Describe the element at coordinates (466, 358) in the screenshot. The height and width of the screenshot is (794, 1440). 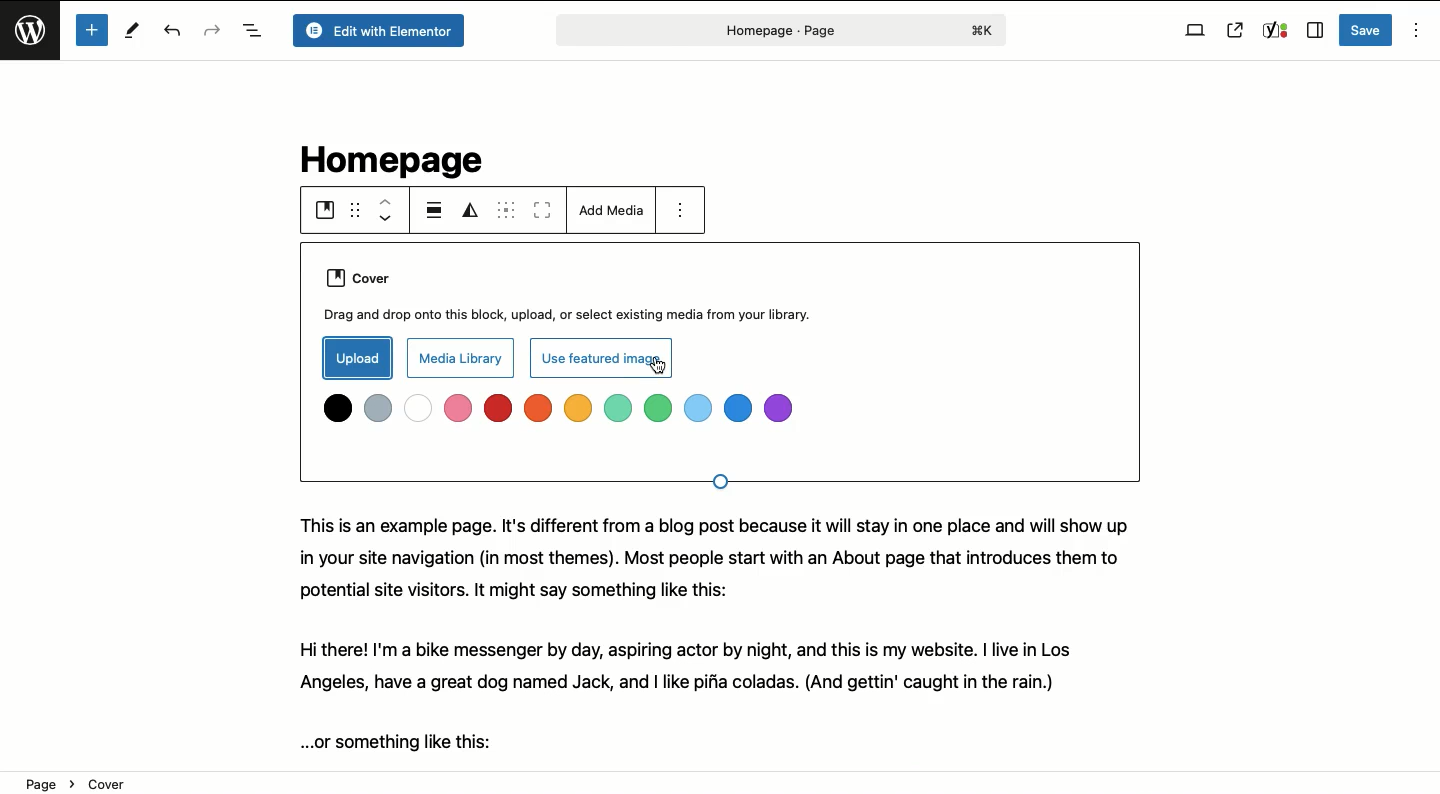
I see `Media library` at that location.